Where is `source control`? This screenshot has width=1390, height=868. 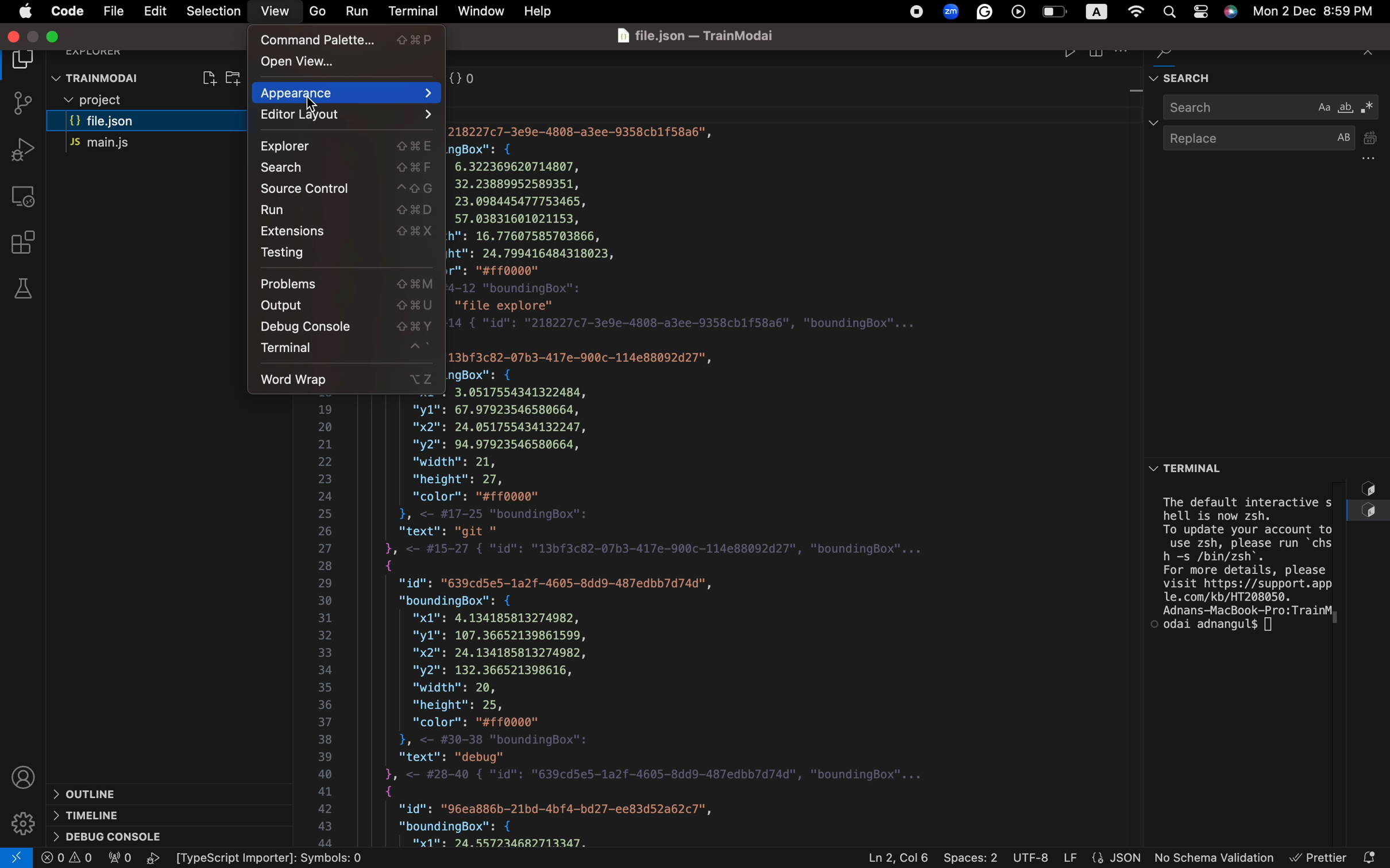
source control is located at coordinates (349, 190).